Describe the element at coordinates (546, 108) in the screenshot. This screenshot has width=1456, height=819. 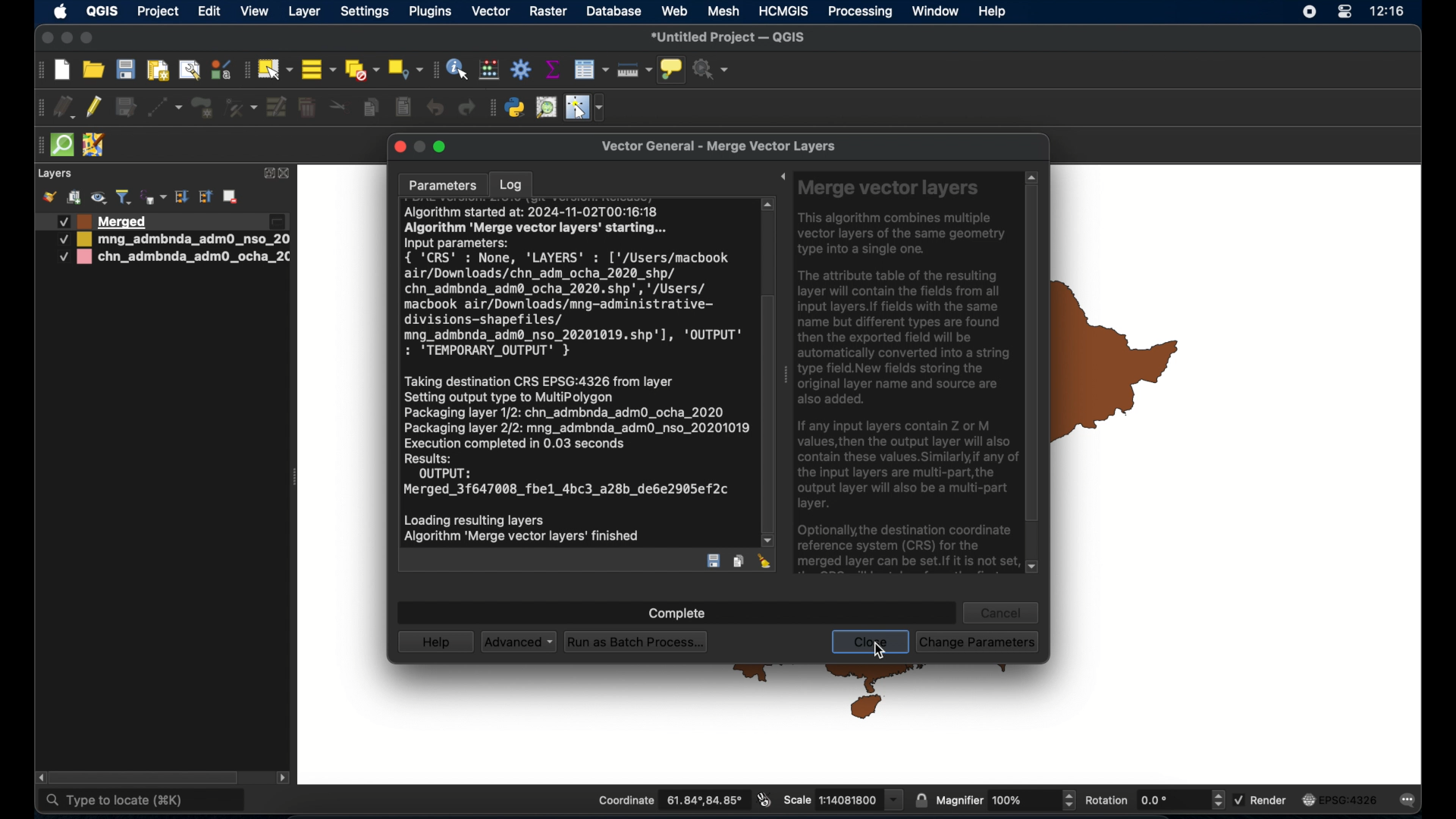
I see `osm place search` at that location.